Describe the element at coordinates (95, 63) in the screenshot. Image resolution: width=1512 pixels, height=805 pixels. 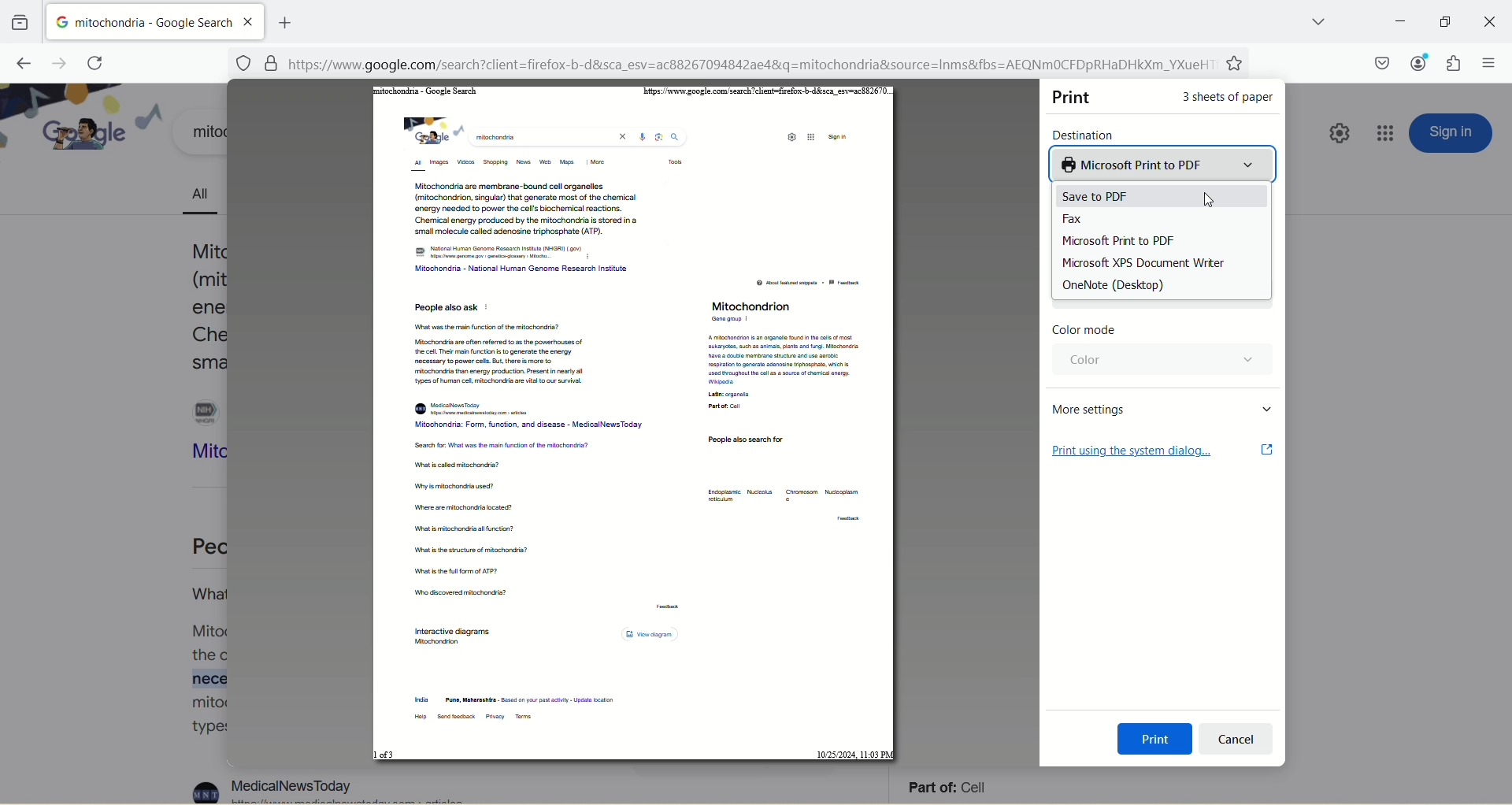
I see `reload current page` at that location.